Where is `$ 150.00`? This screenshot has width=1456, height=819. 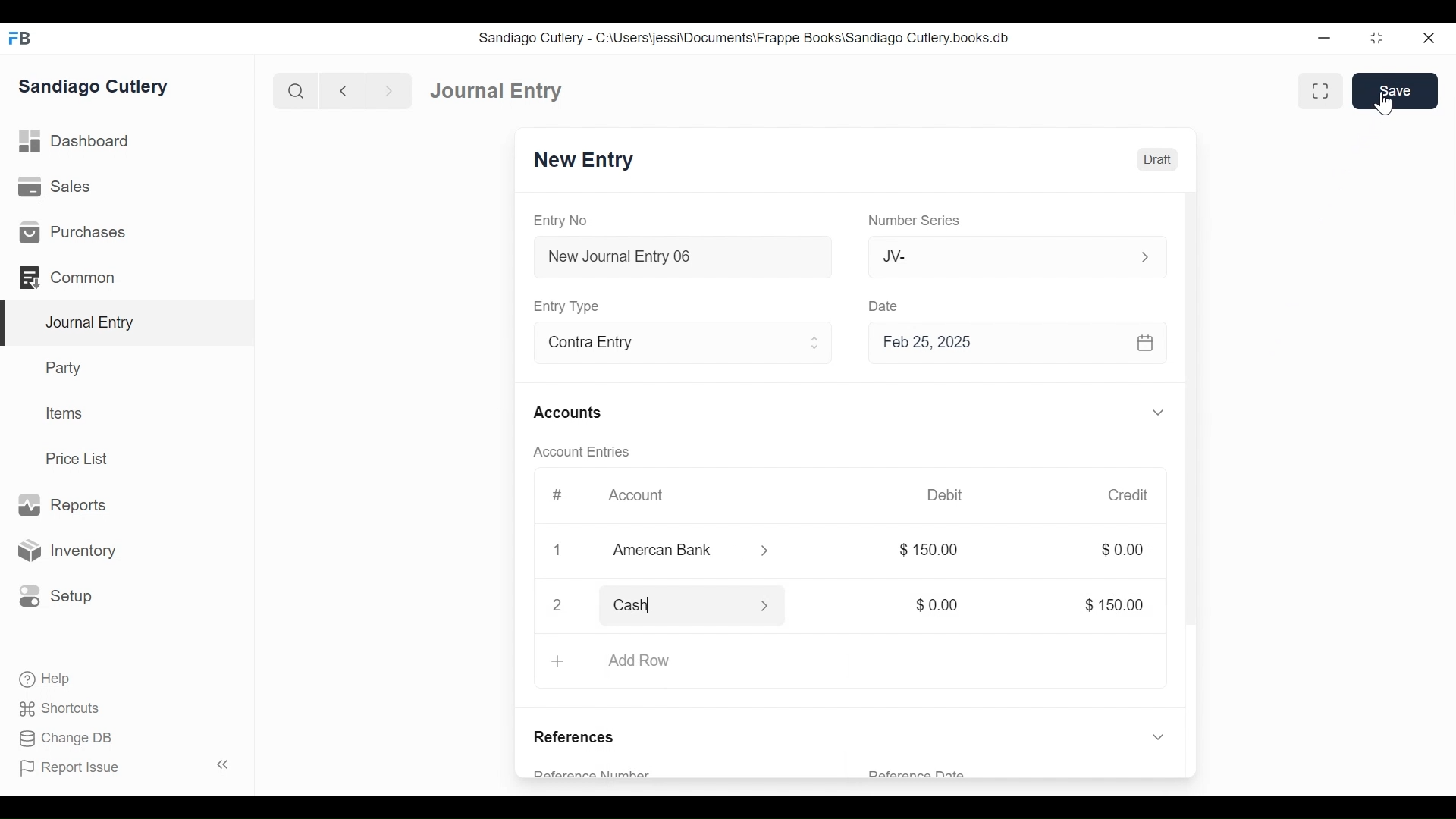 $ 150.00 is located at coordinates (931, 551).